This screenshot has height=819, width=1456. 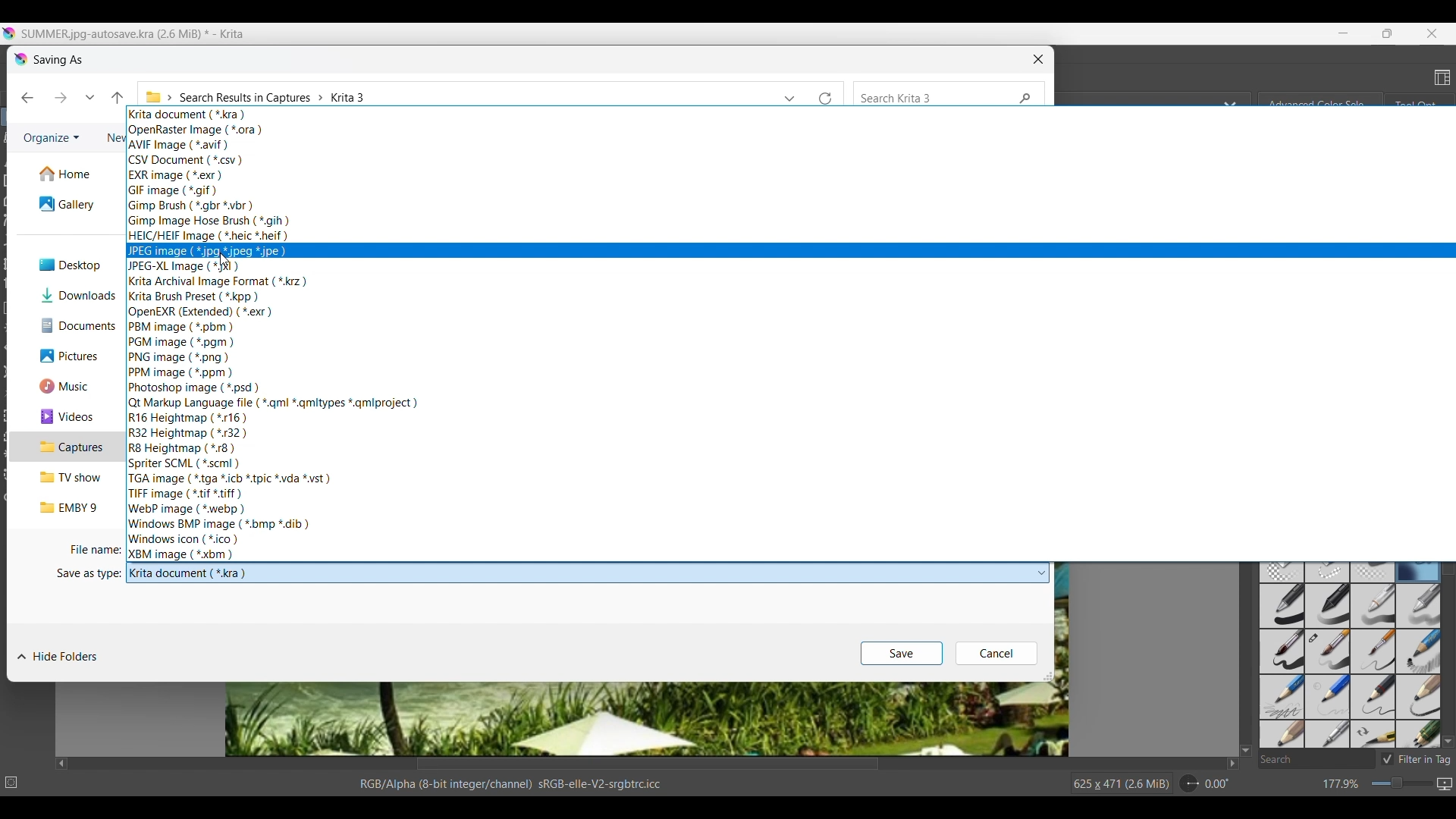 What do you see at coordinates (1232, 764) in the screenshot?
I see `Quick slide to right` at bounding box center [1232, 764].